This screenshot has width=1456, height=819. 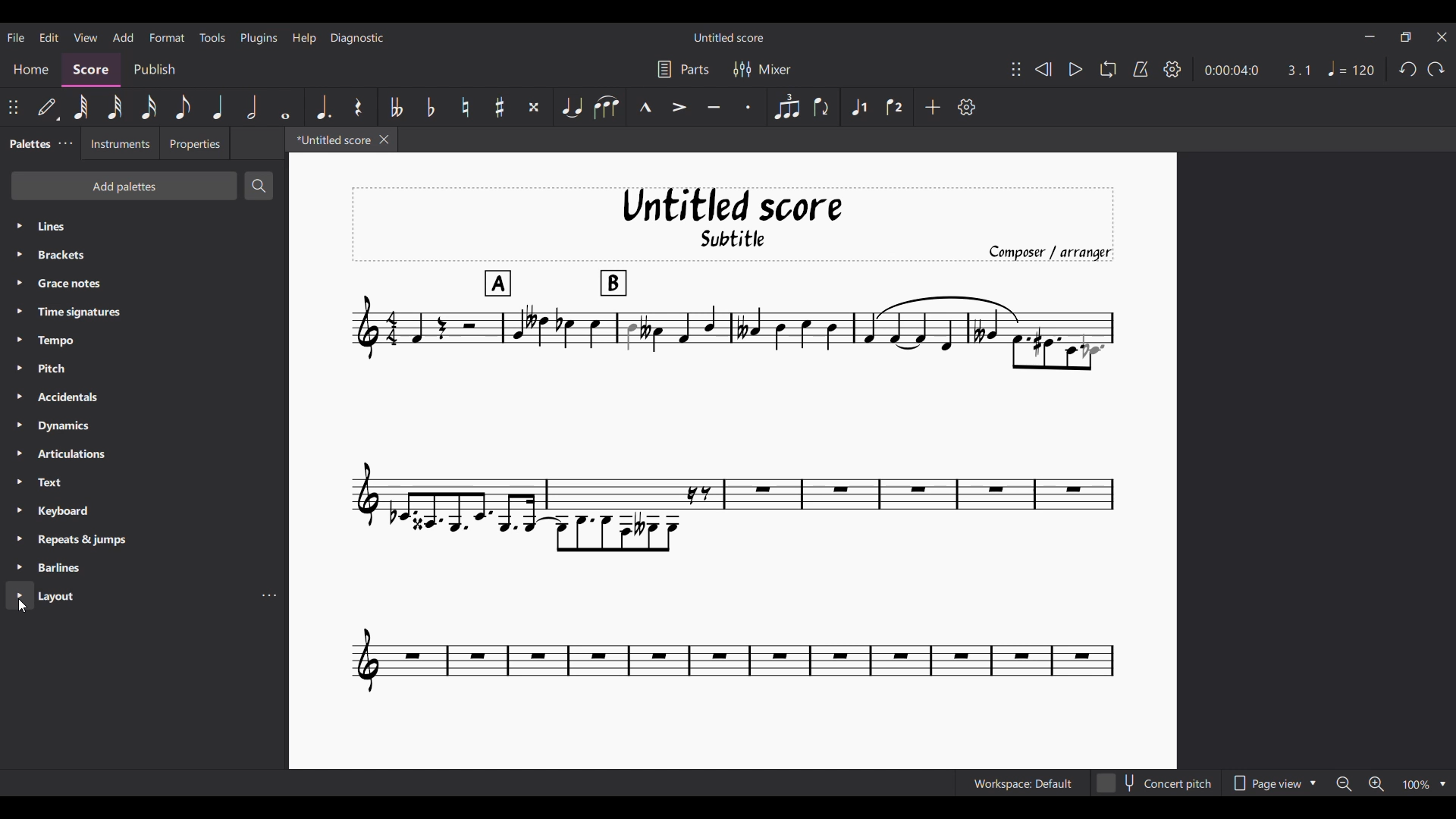 What do you see at coordinates (679, 107) in the screenshot?
I see `Accent` at bounding box center [679, 107].